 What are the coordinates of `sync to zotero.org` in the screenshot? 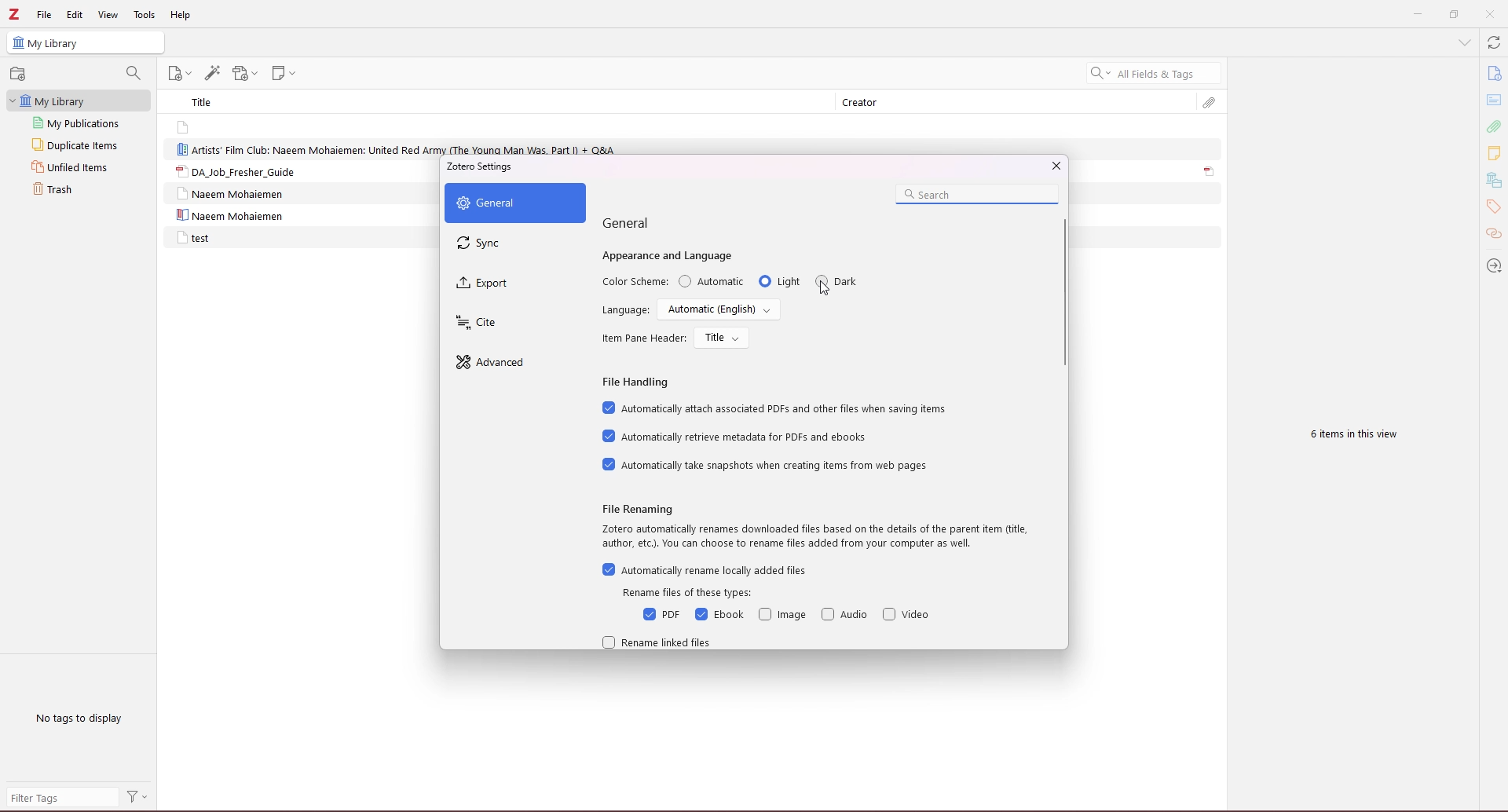 It's located at (1494, 43).